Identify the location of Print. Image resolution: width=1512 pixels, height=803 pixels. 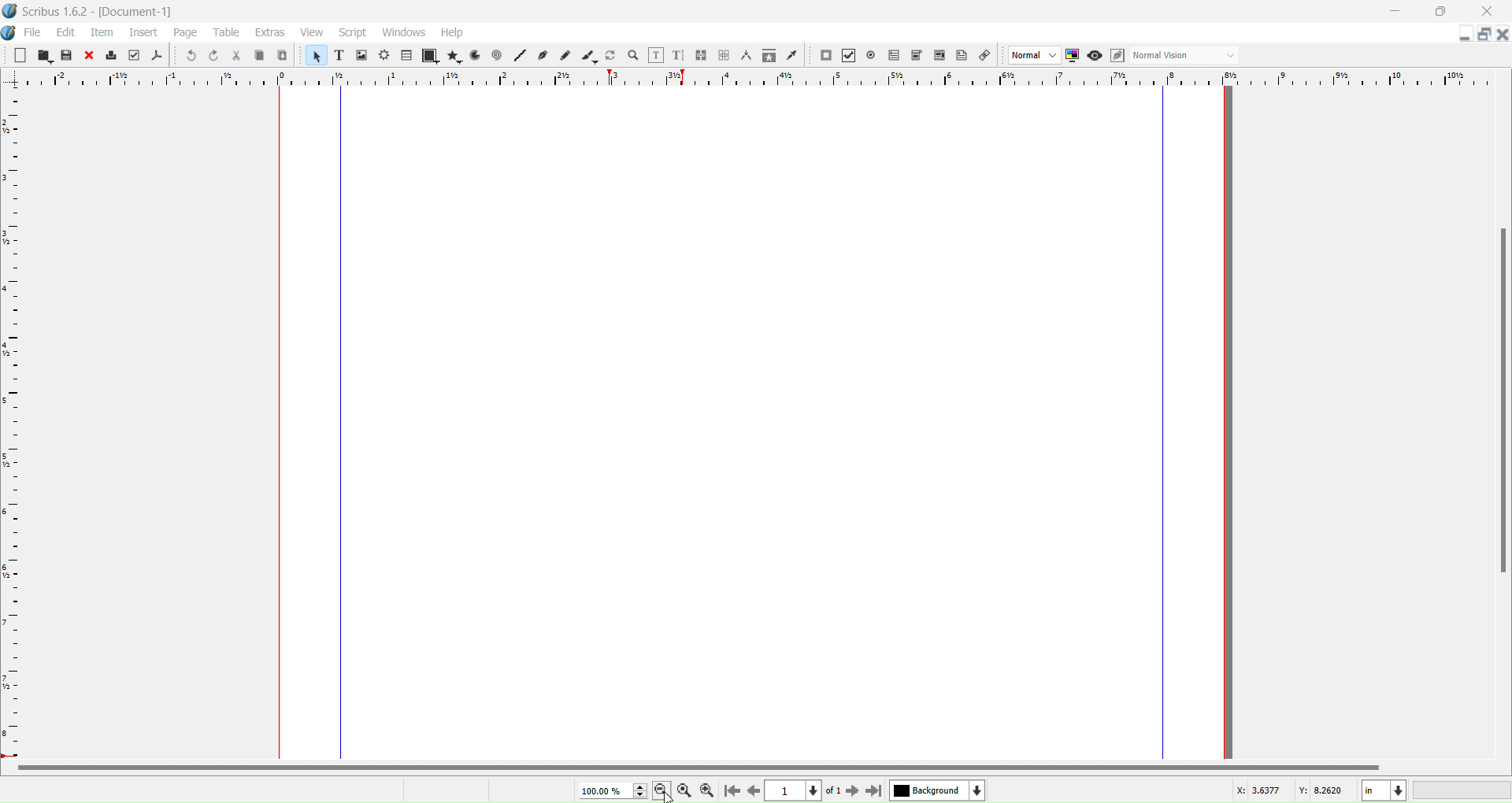
(110, 55).